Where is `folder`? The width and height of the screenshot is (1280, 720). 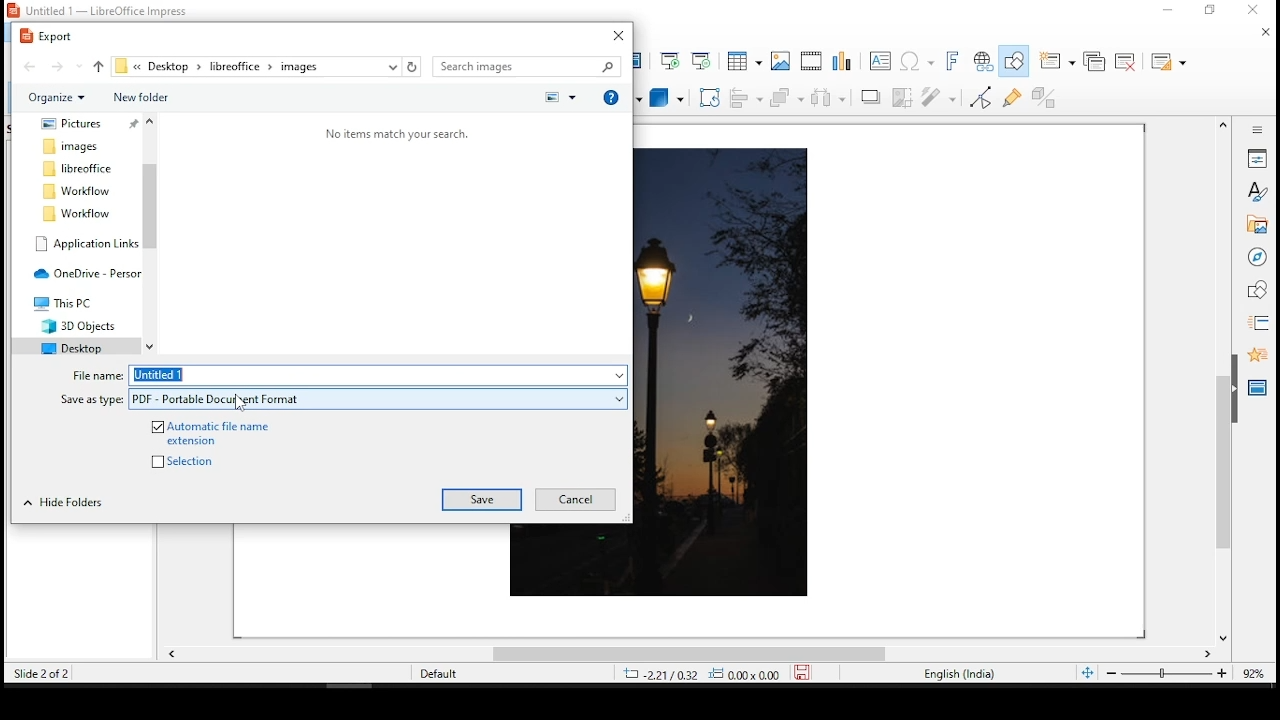 folder is located at coordinates (78, 324).